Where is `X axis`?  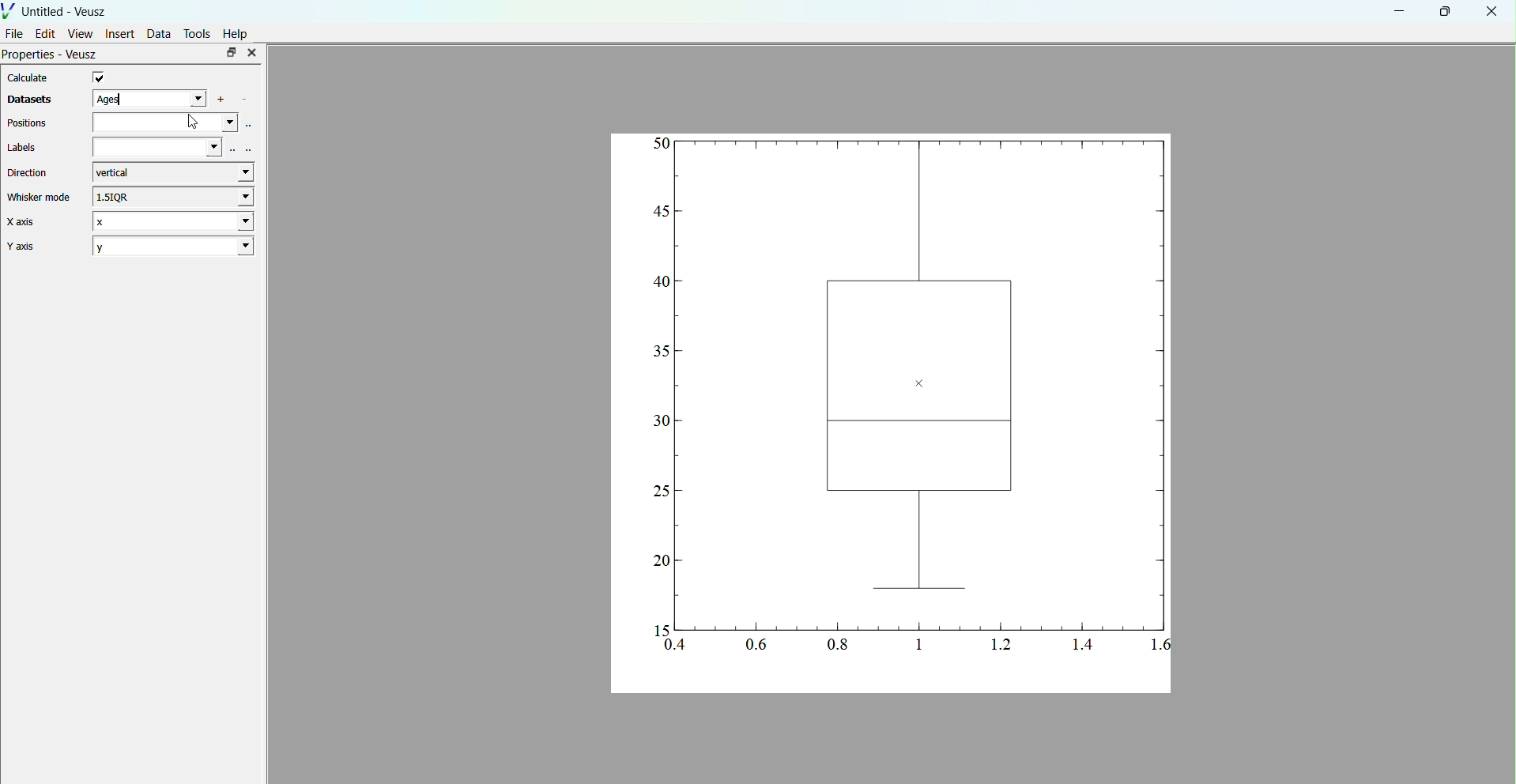 X axis is located at coordinates (32, 223).